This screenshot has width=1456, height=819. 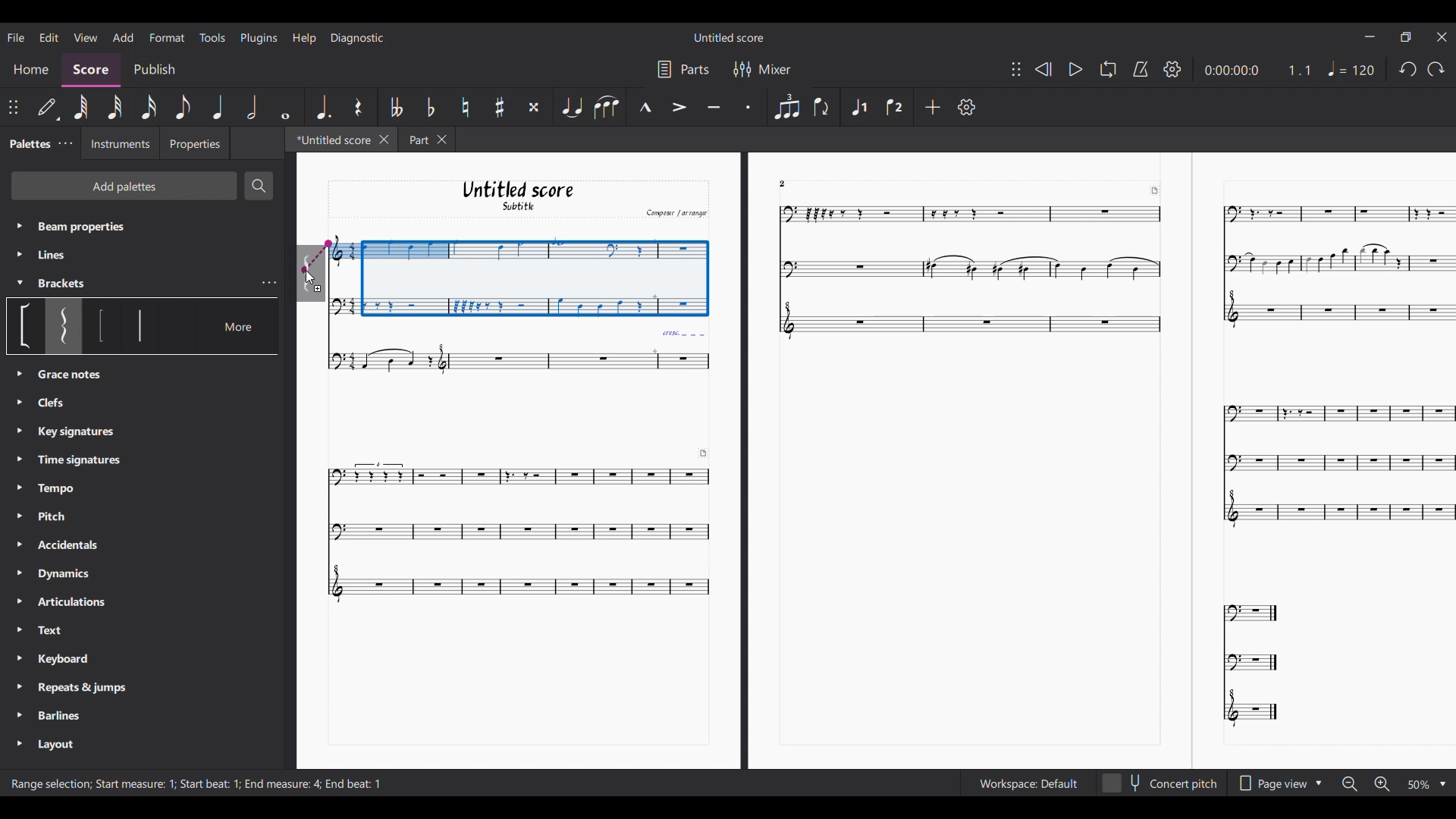 I want to click on Add, so click(x=932, y=106).